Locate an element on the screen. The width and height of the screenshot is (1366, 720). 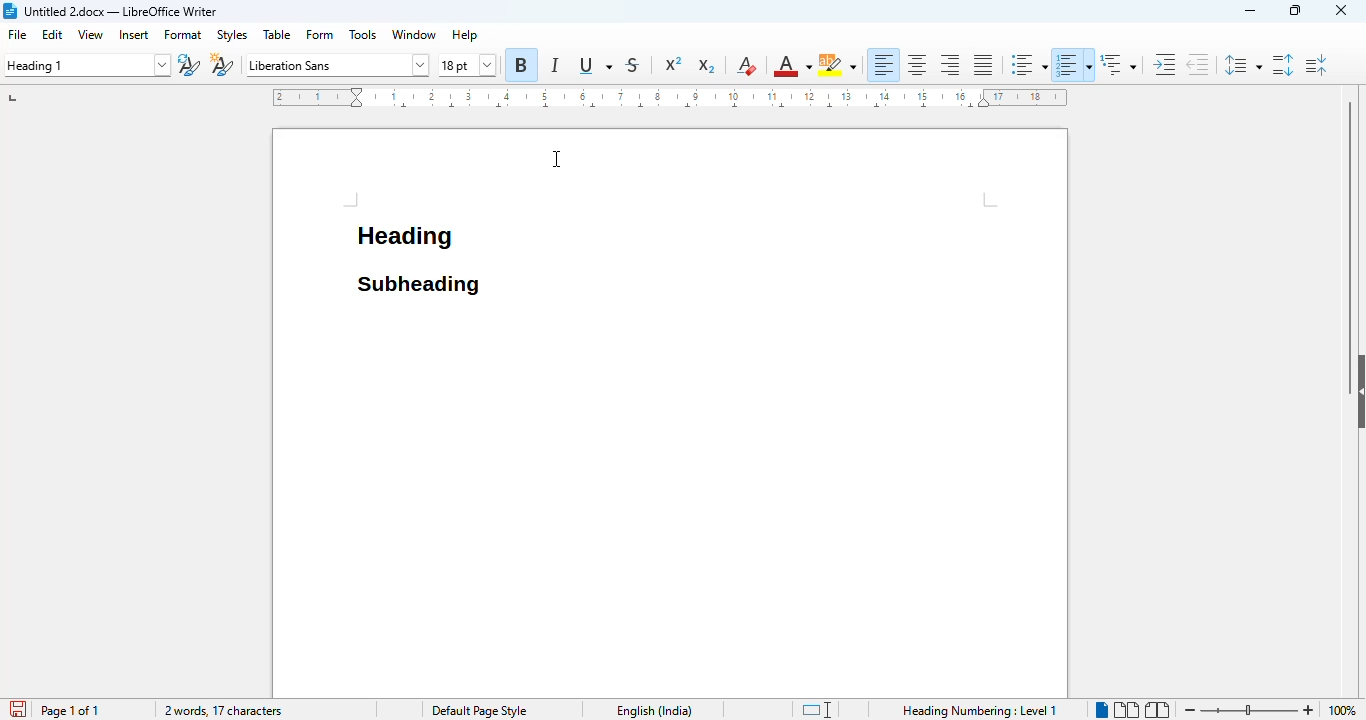
cursor is located at coordinates (557, 159).